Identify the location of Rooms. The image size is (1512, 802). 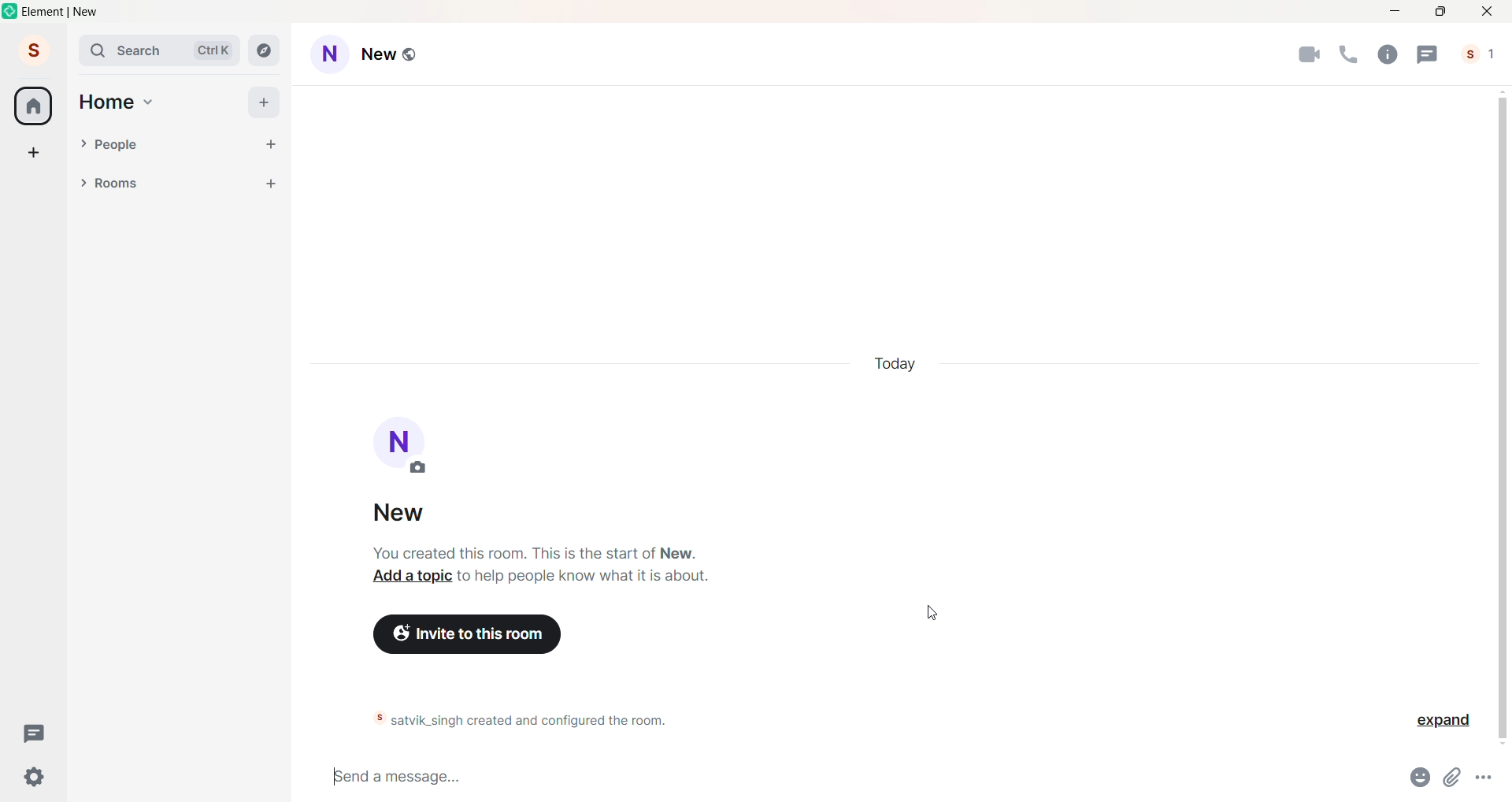
(158, 184).